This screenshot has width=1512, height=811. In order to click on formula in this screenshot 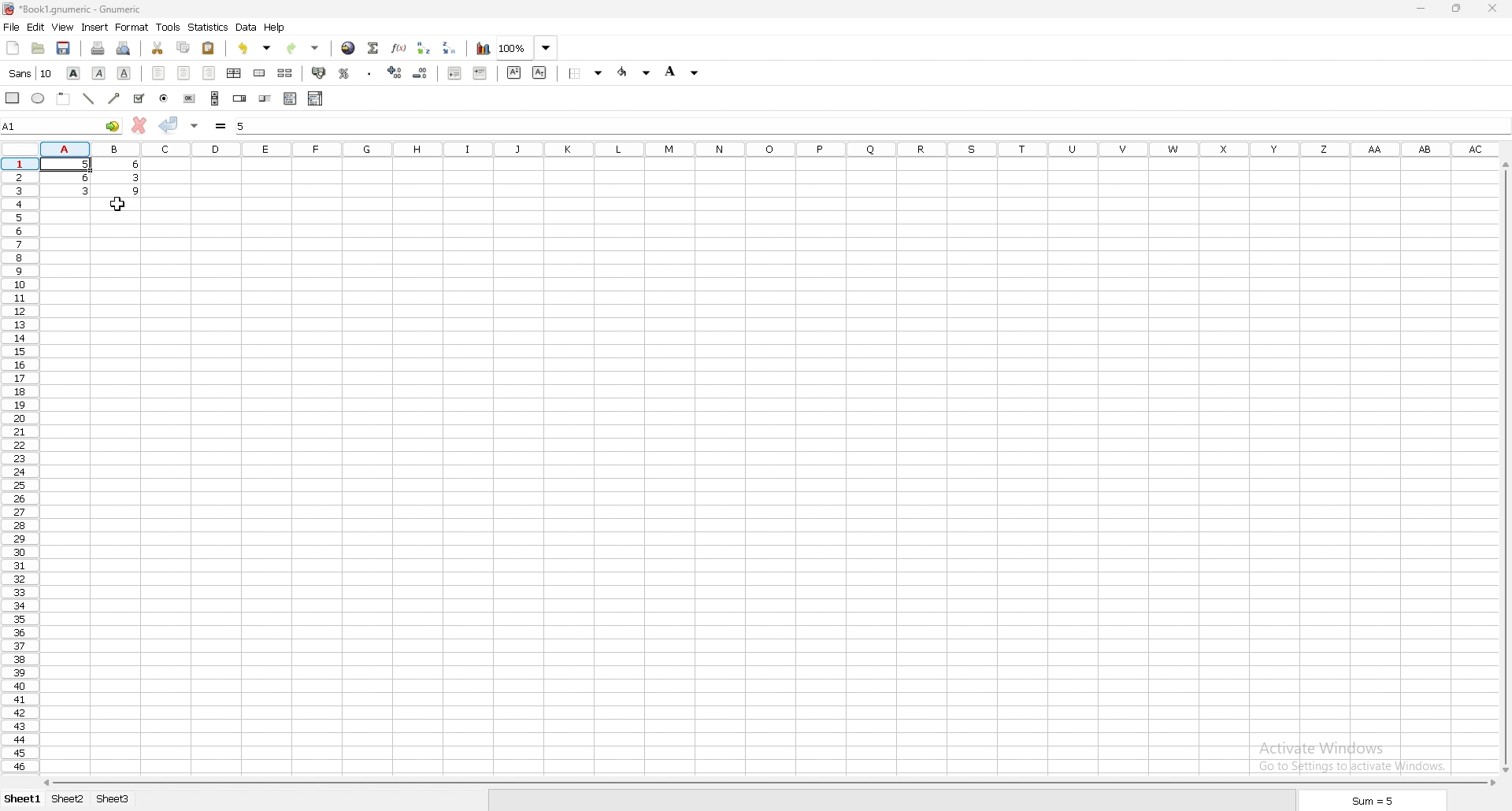, I will do `click(221, 127)`.